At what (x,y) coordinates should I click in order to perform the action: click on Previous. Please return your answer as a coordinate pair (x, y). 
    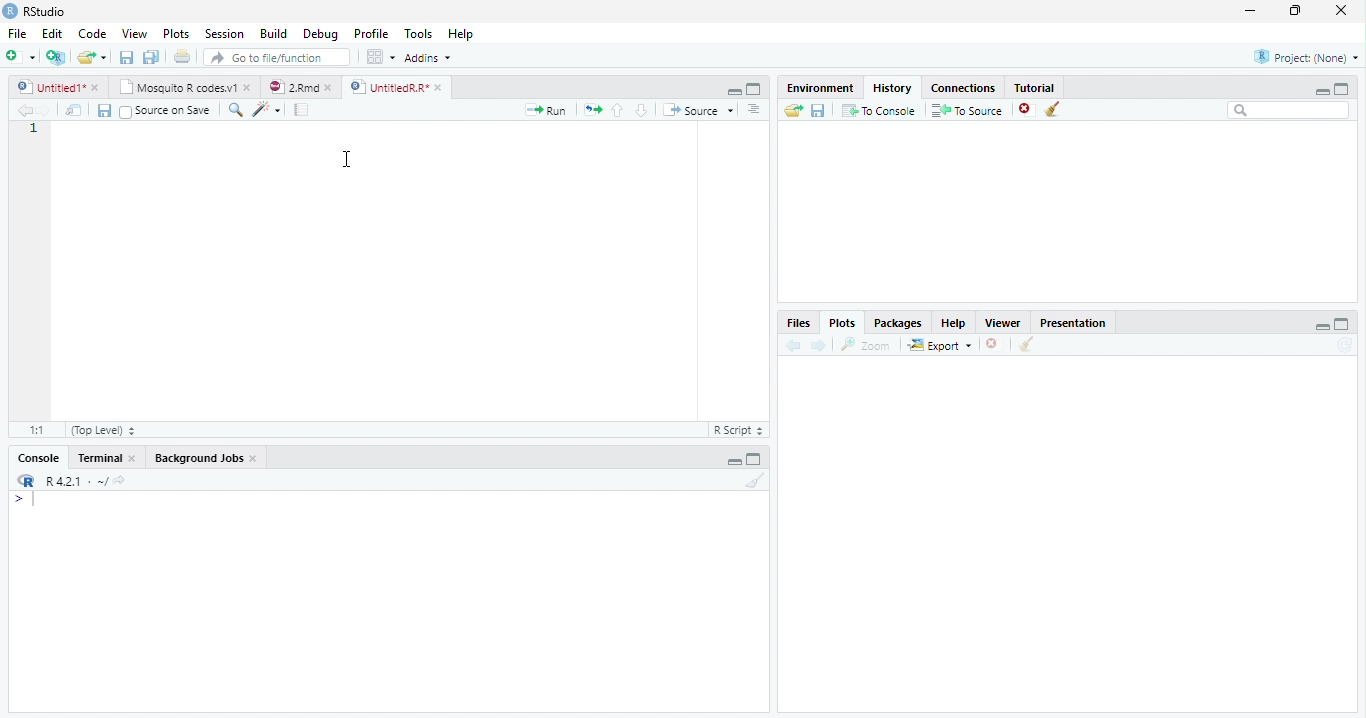
    Looking at the image, I should click on (22, 111).